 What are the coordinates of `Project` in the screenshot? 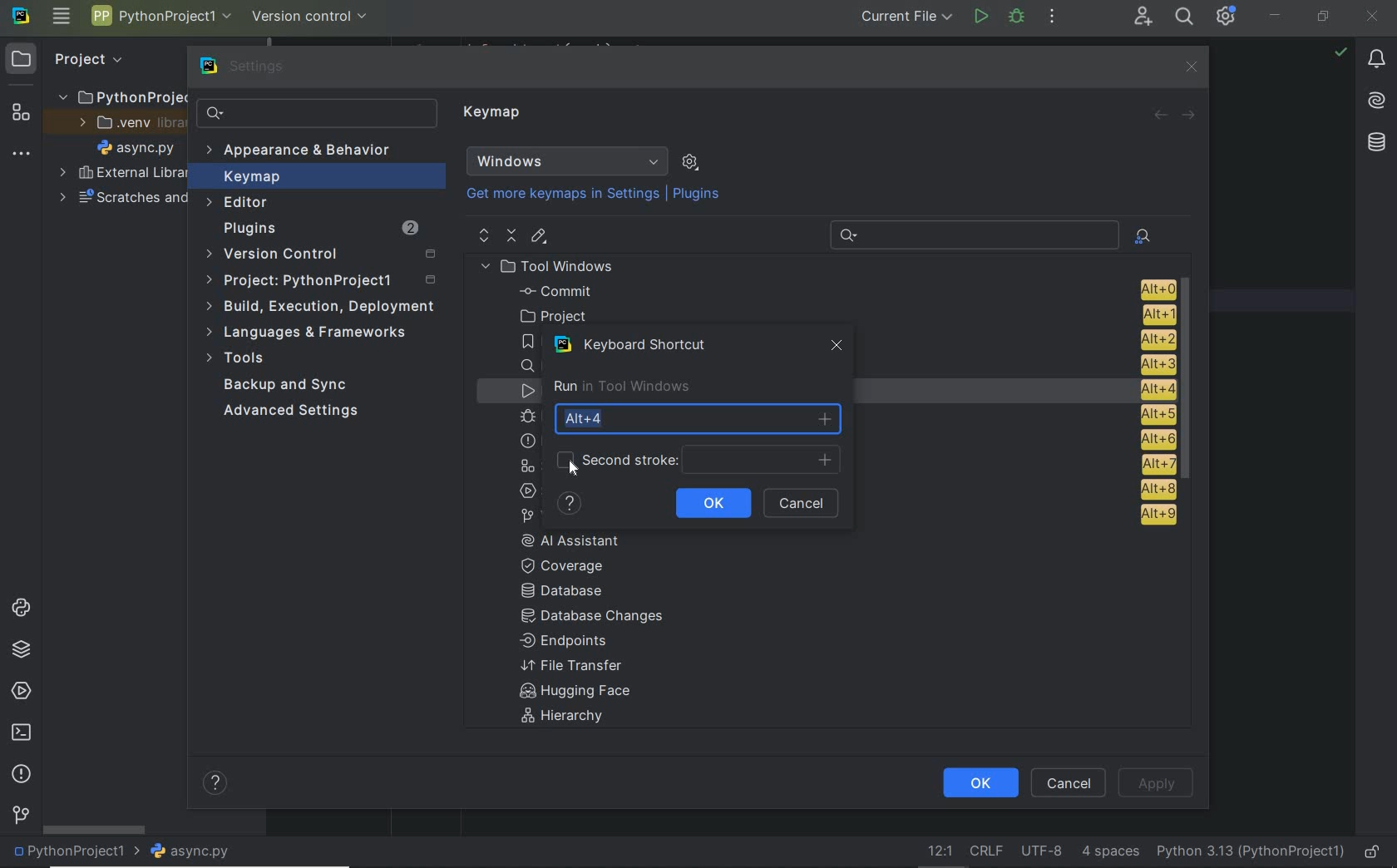 It's located at (72, 58).